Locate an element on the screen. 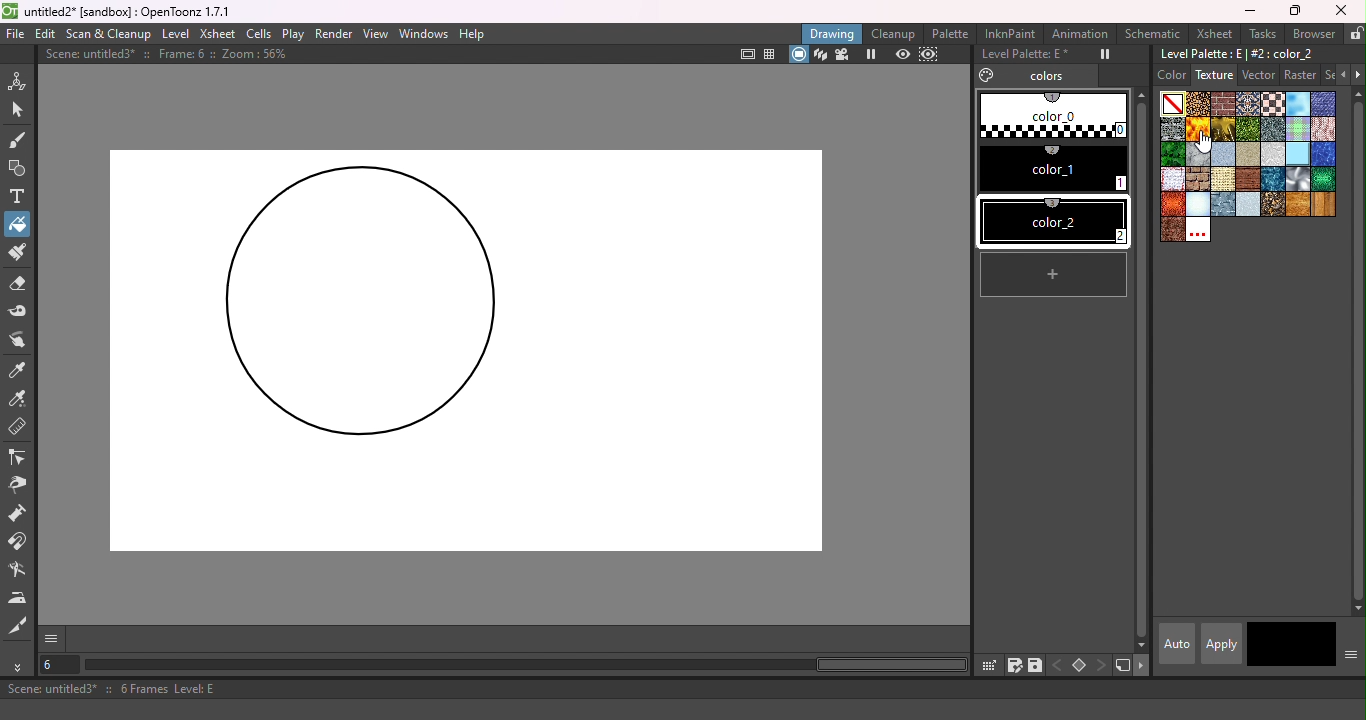 The image size is (1366, 720). Field guide is located at coordinates (771, 55).